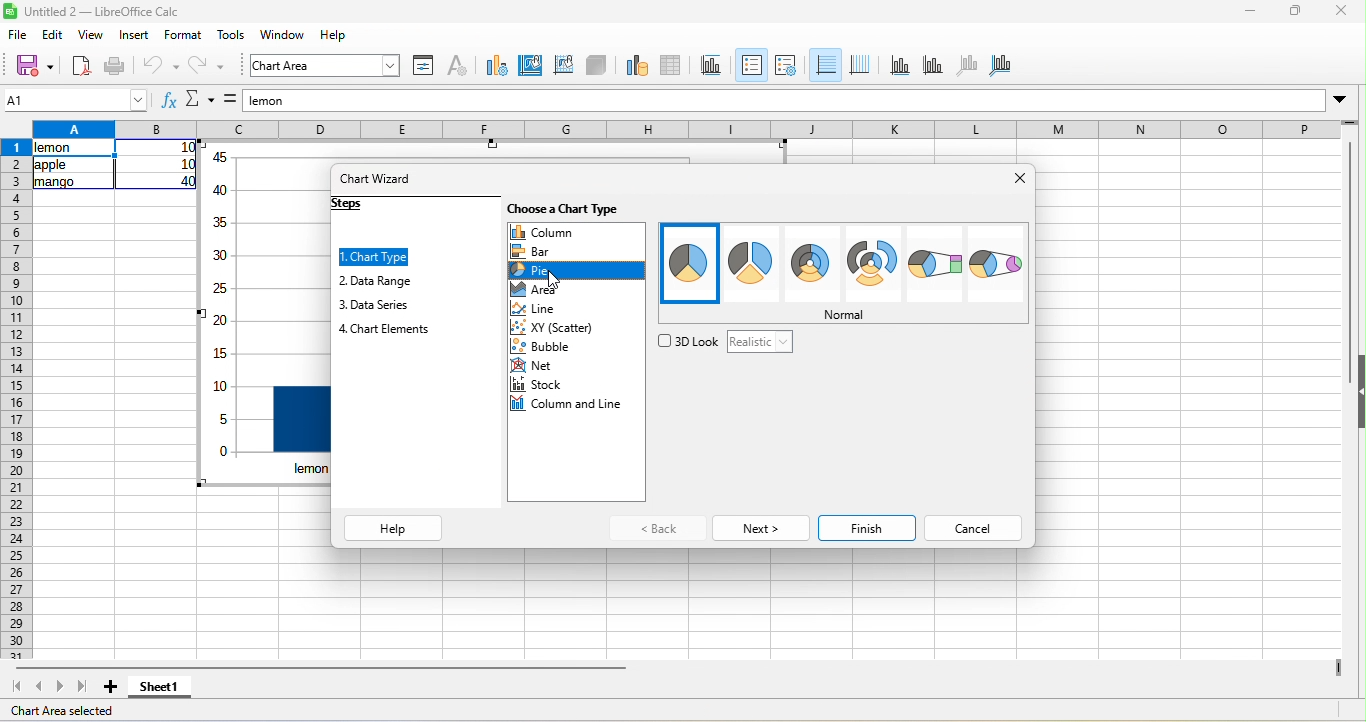 This screenshot has width=1366, height=722. Describe the element at coordinates (688, 340) in the screenshot. I see `3d lock` at that location.